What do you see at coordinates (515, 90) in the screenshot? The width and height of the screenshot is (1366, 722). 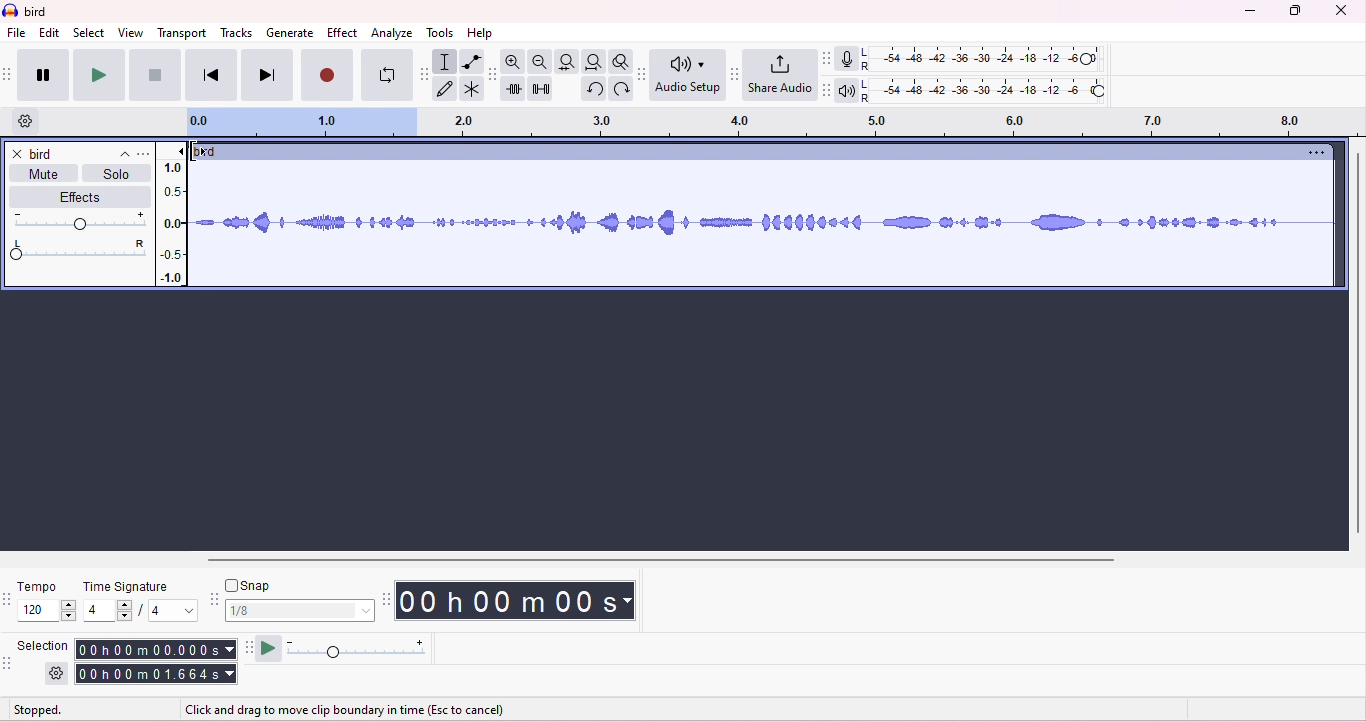 I see `trim outside selection` at bounding box center [515, 90].